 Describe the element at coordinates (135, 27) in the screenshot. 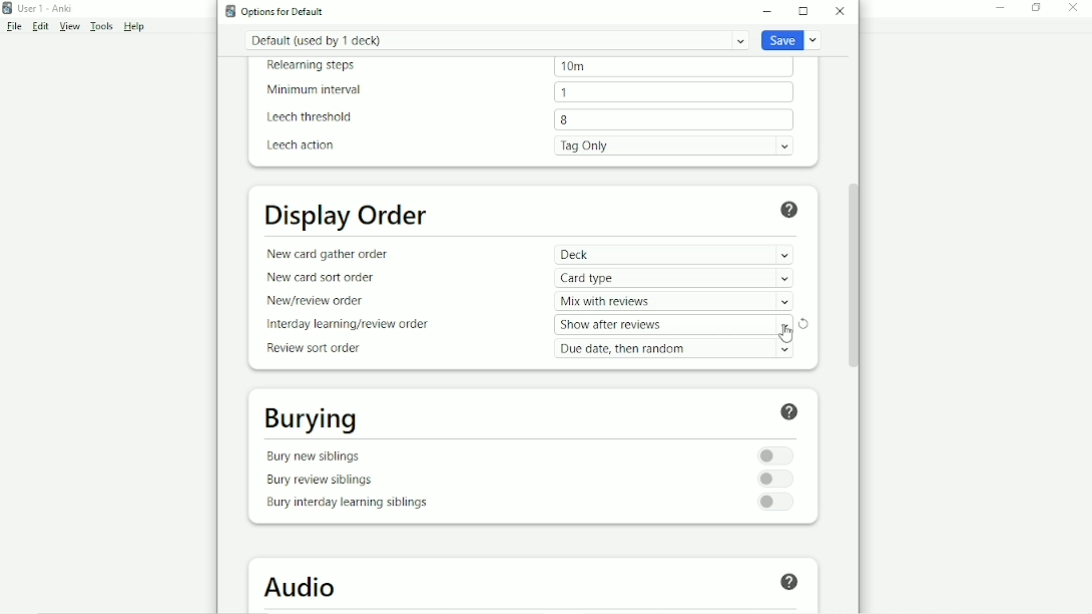

I see `Help` at that location.